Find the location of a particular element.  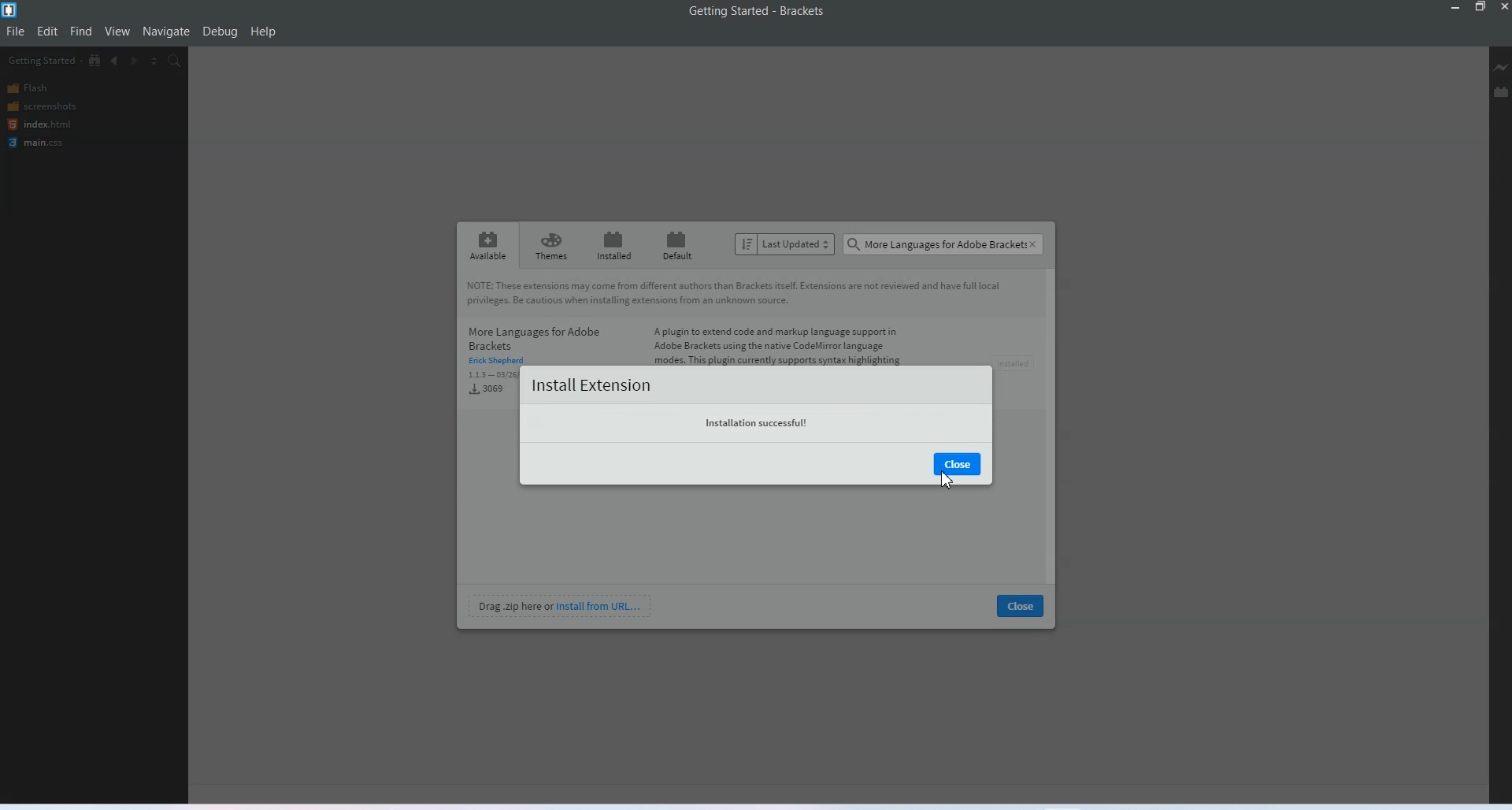

Sort by is located at coordinates (785, 243).